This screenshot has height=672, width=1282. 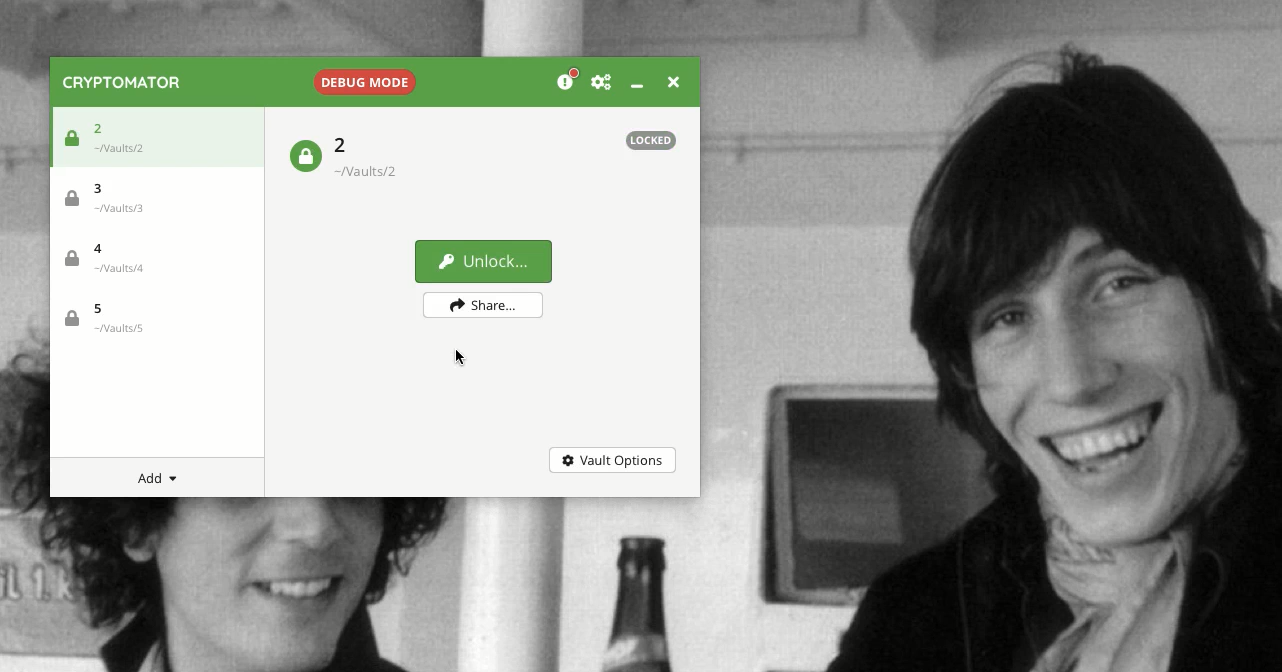 What do you see at coordinates (462, 354) in the screenshot?
I see `cursor` at bounding box center [462, 354].